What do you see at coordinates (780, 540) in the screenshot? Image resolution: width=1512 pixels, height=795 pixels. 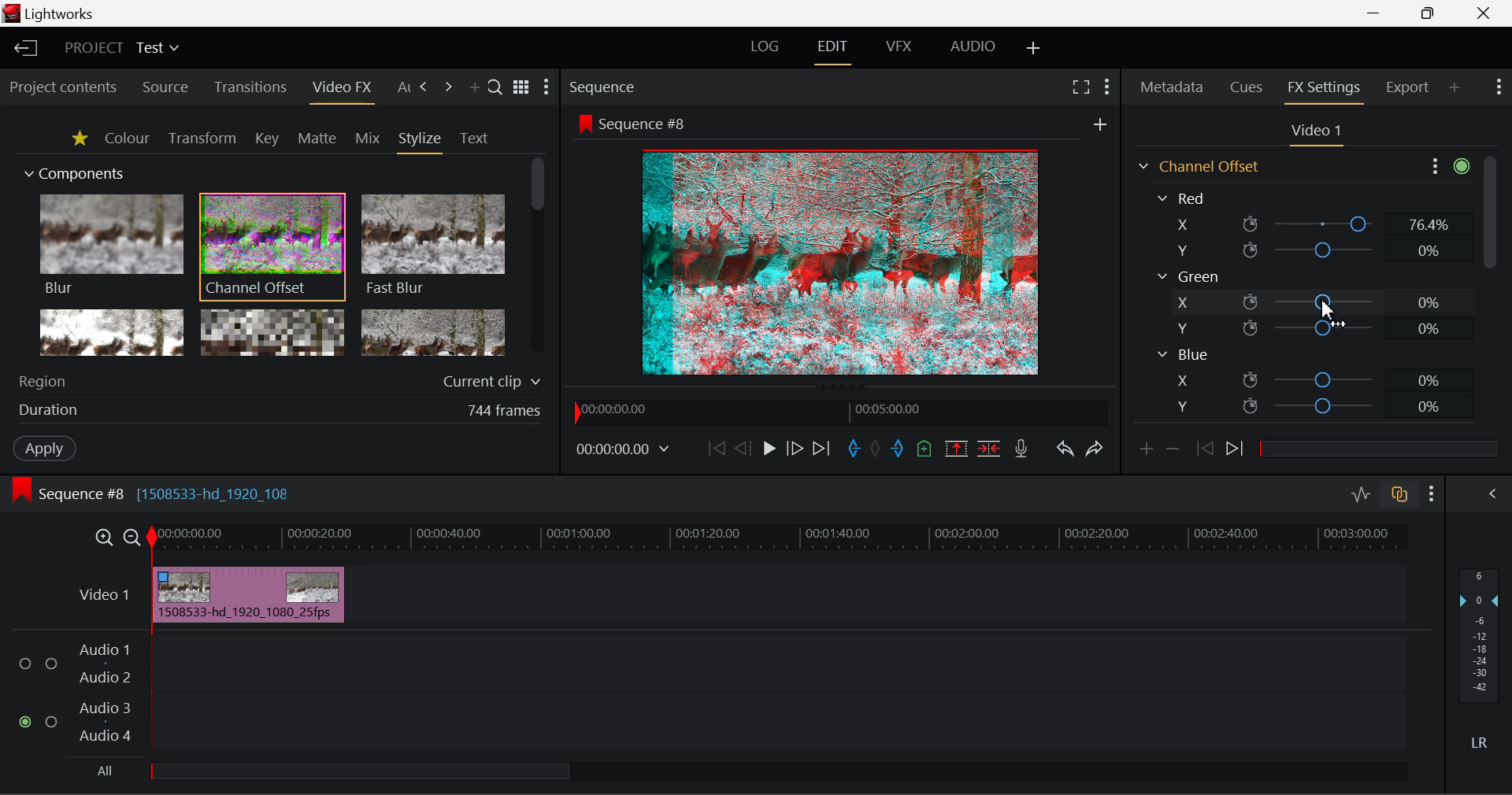 I see `Project Timeline Track` at bounding box center [780, 540].